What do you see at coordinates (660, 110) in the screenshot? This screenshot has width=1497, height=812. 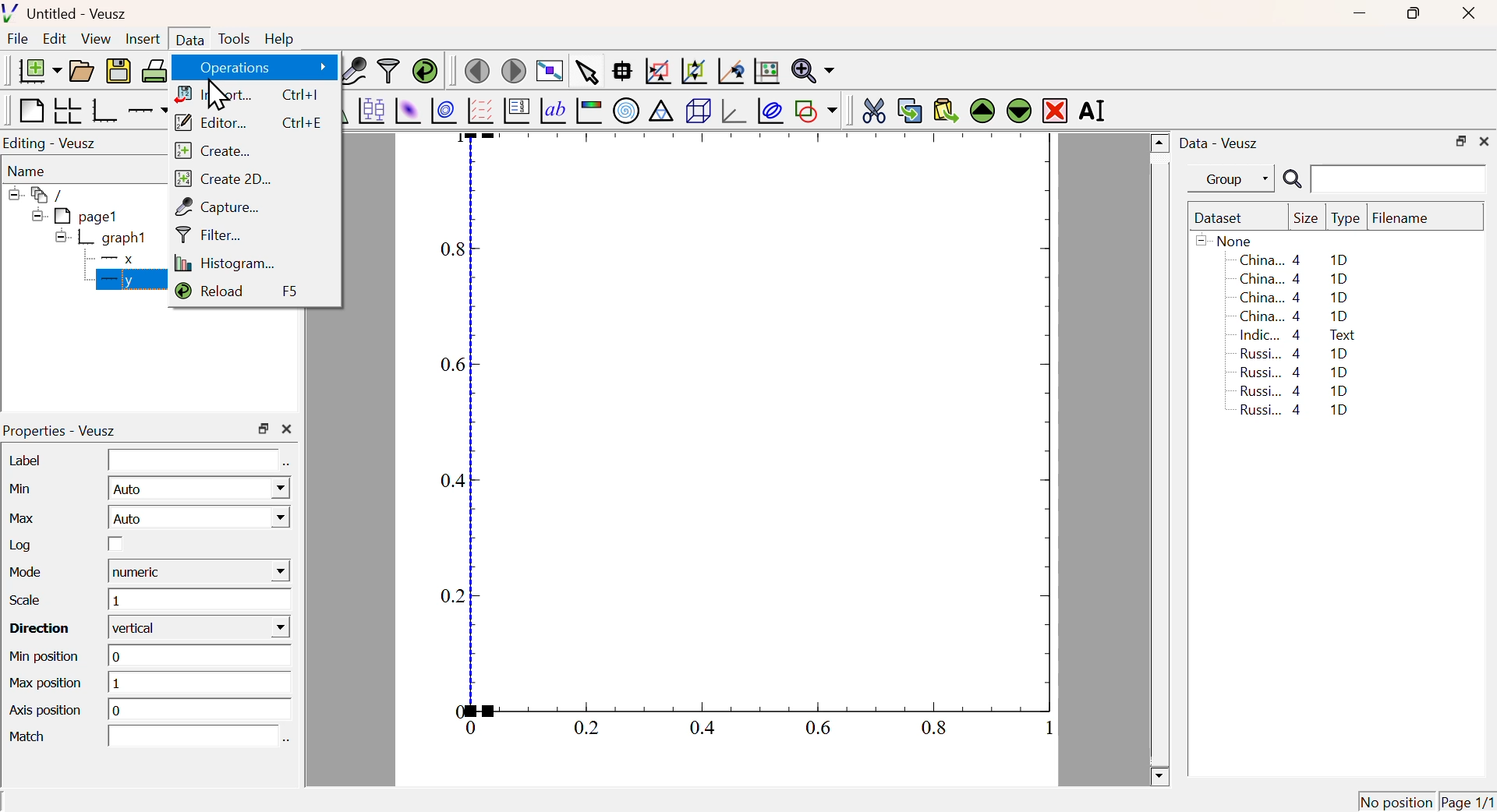 I see `Ternary Graph` at bounding box center [660, 110].